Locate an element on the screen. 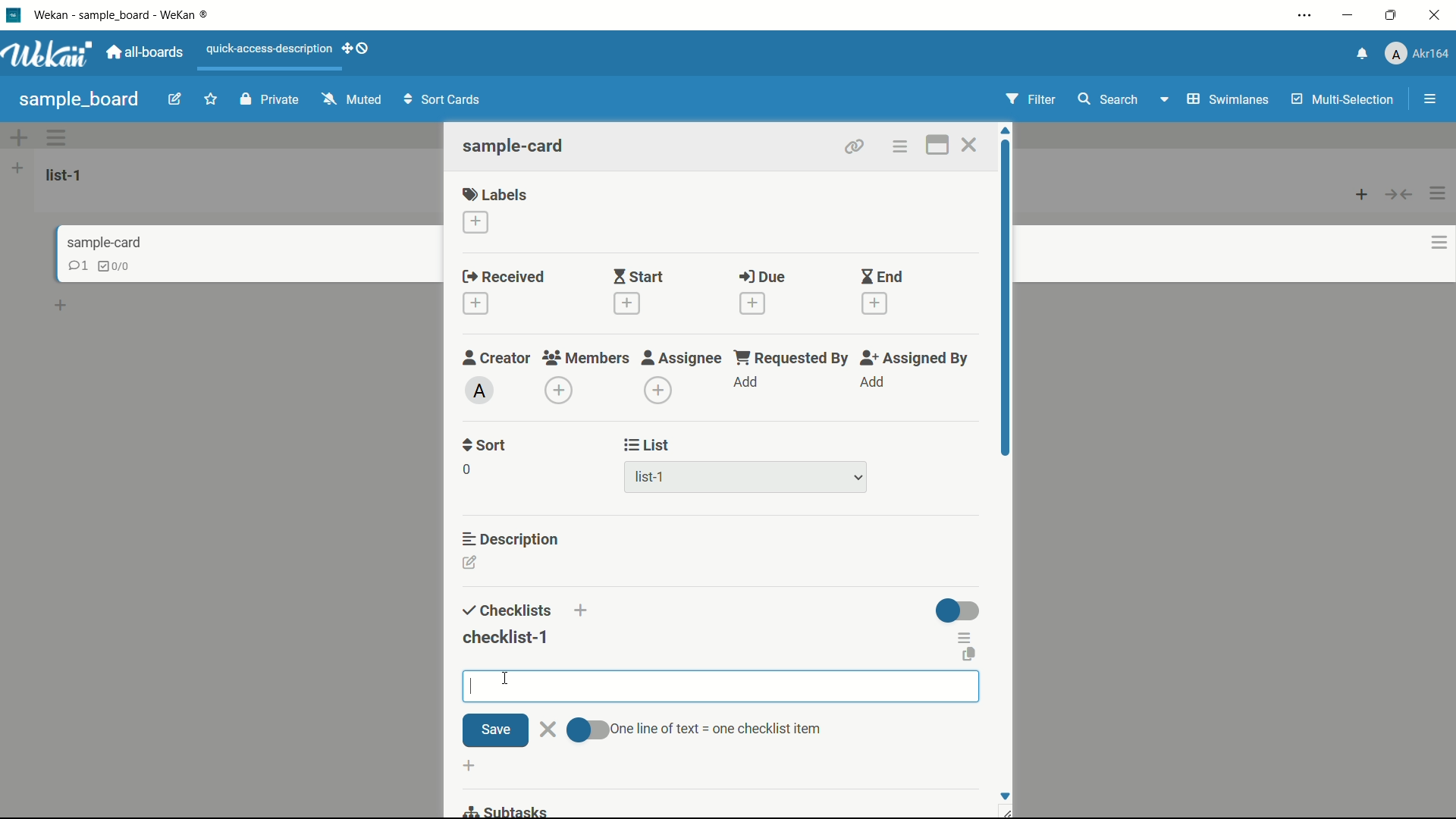 The image size is (1456, 819). text is located at coordinates (717, 729).